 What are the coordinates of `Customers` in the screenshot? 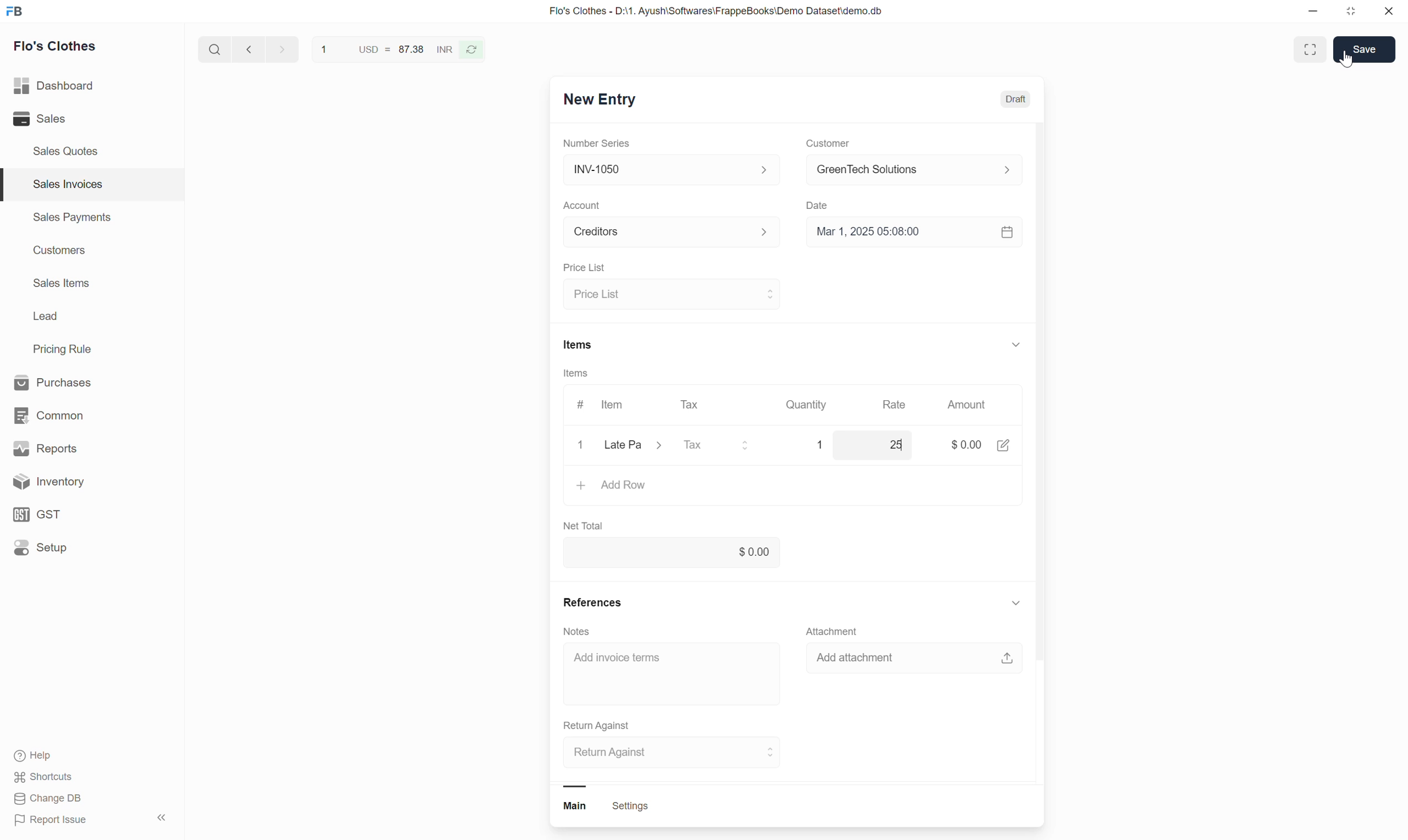 It's located at (58, 252).